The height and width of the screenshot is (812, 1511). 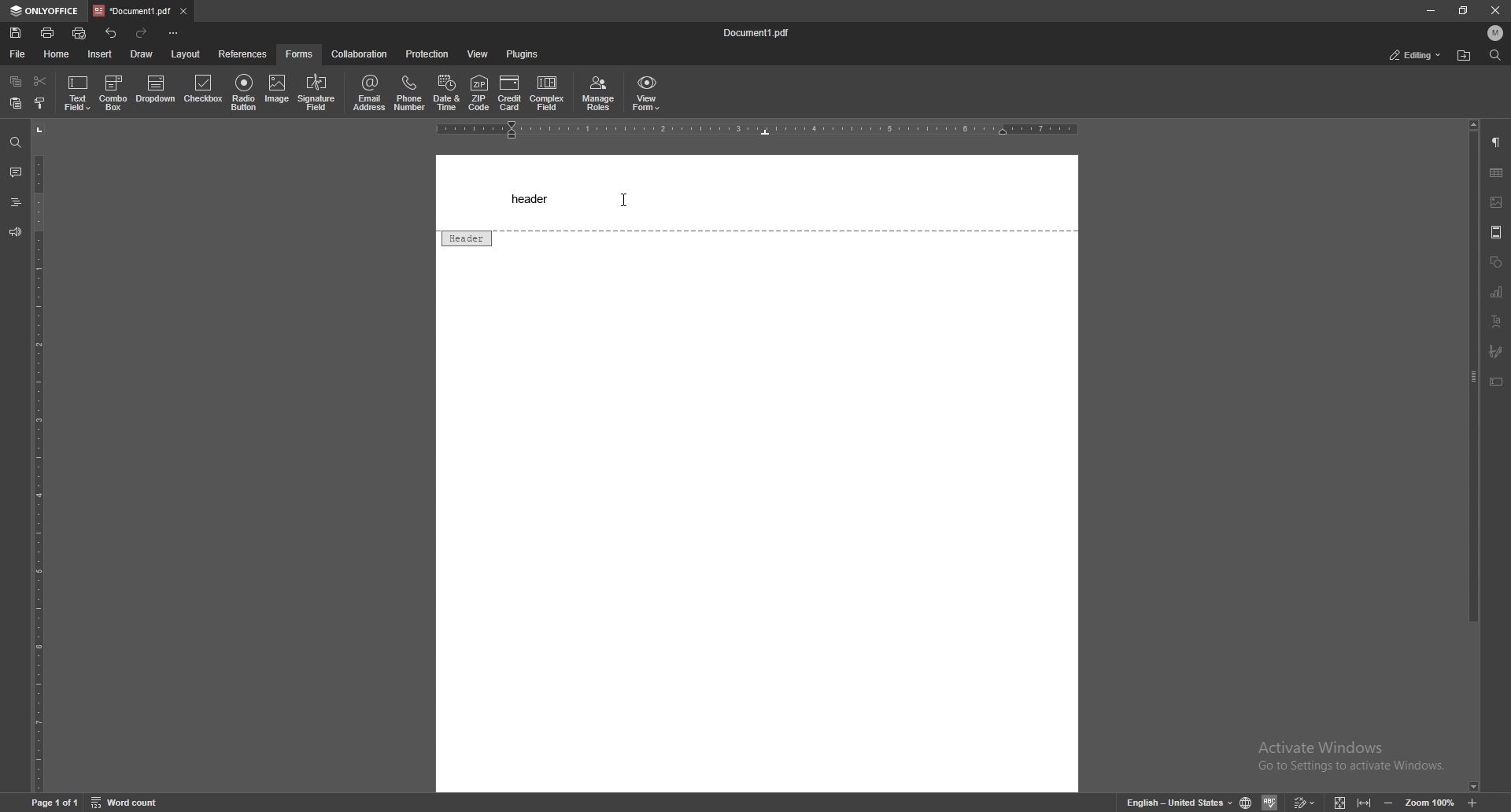 What do you see at coordinates (16, 172) in the screenshot?
I see `comment` at bounding box center [16, 172].